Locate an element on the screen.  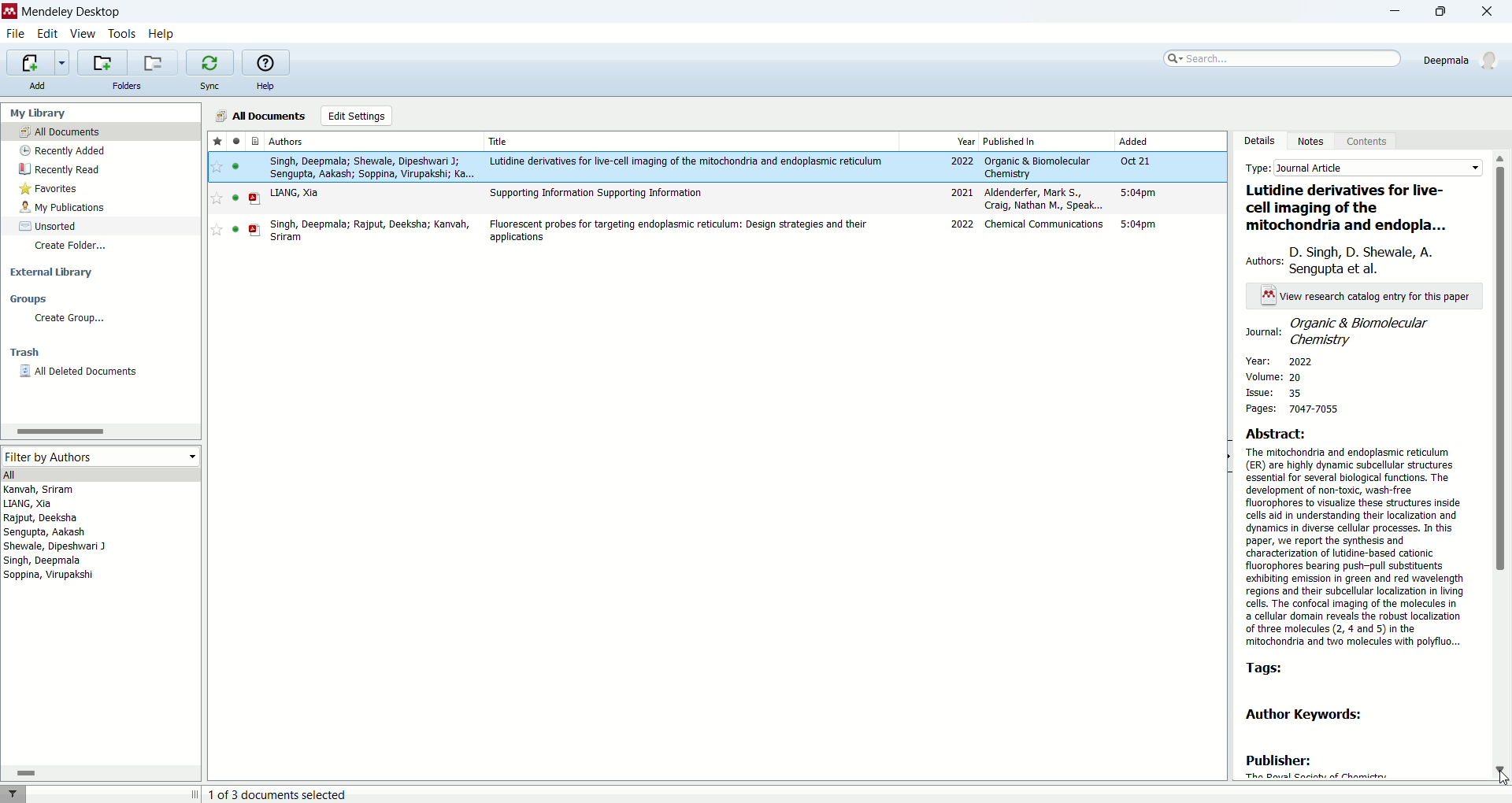
create group is located at coordinates (71, 318).